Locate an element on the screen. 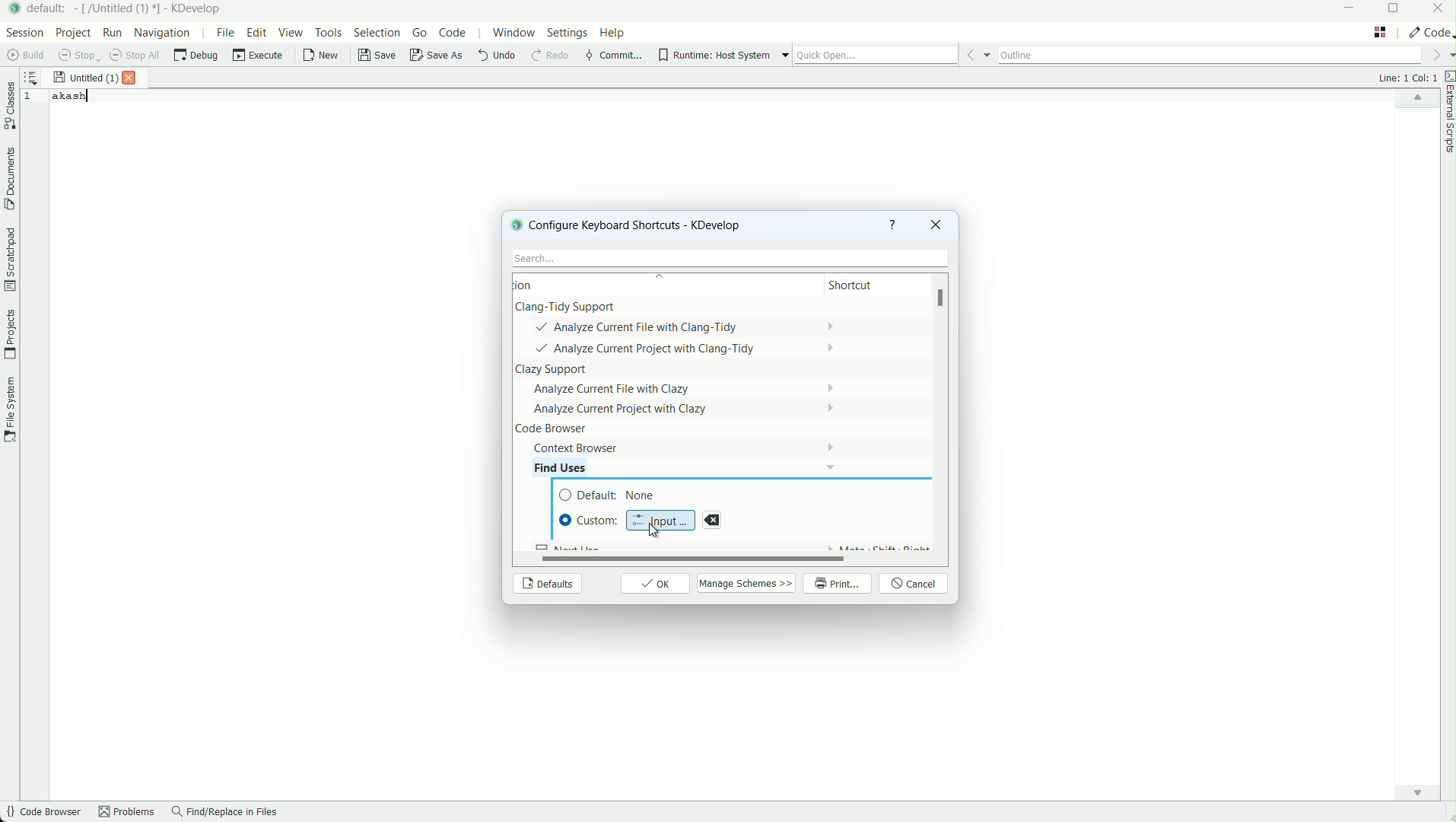 The width and height of the screenshot is (1456, 822). debug is located at coordinates (196, 56).